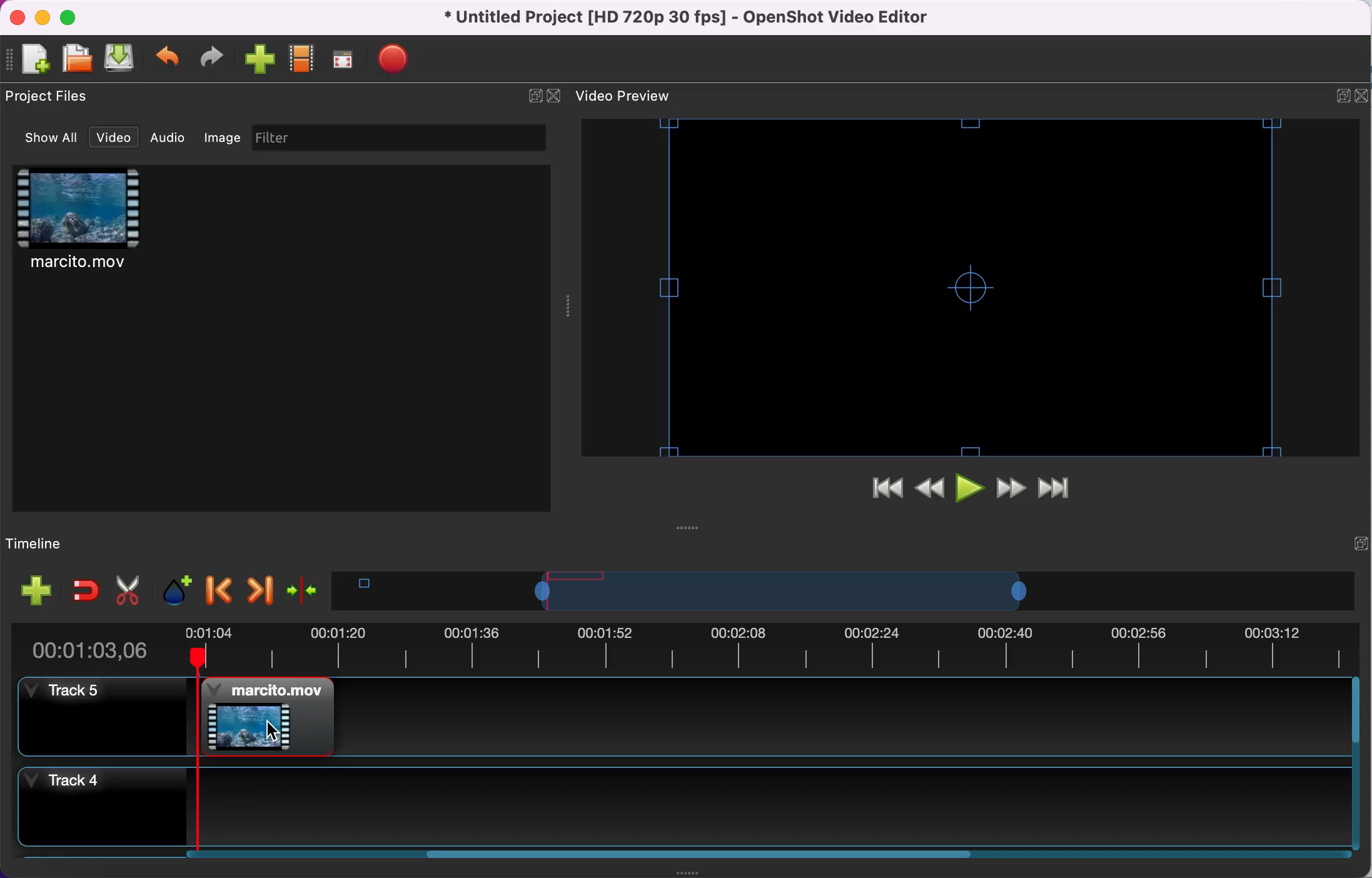 The image size is (1372, 878). What do you see at coordinates (1053, 488) in the screenshot?
I see `jump to end` at bounding box center [1053, 488].